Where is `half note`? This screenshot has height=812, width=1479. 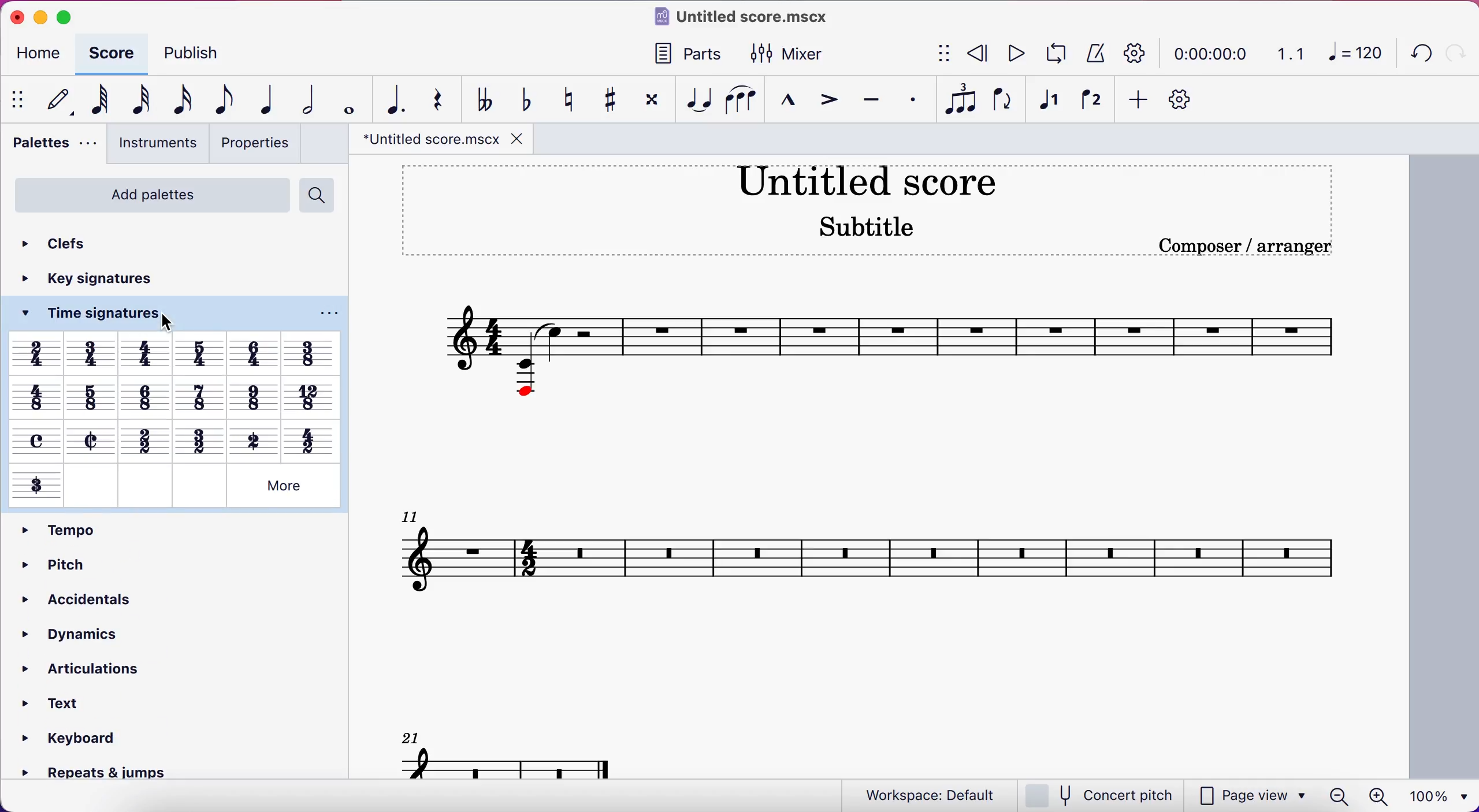
half note is located at coordinates (299, 99).